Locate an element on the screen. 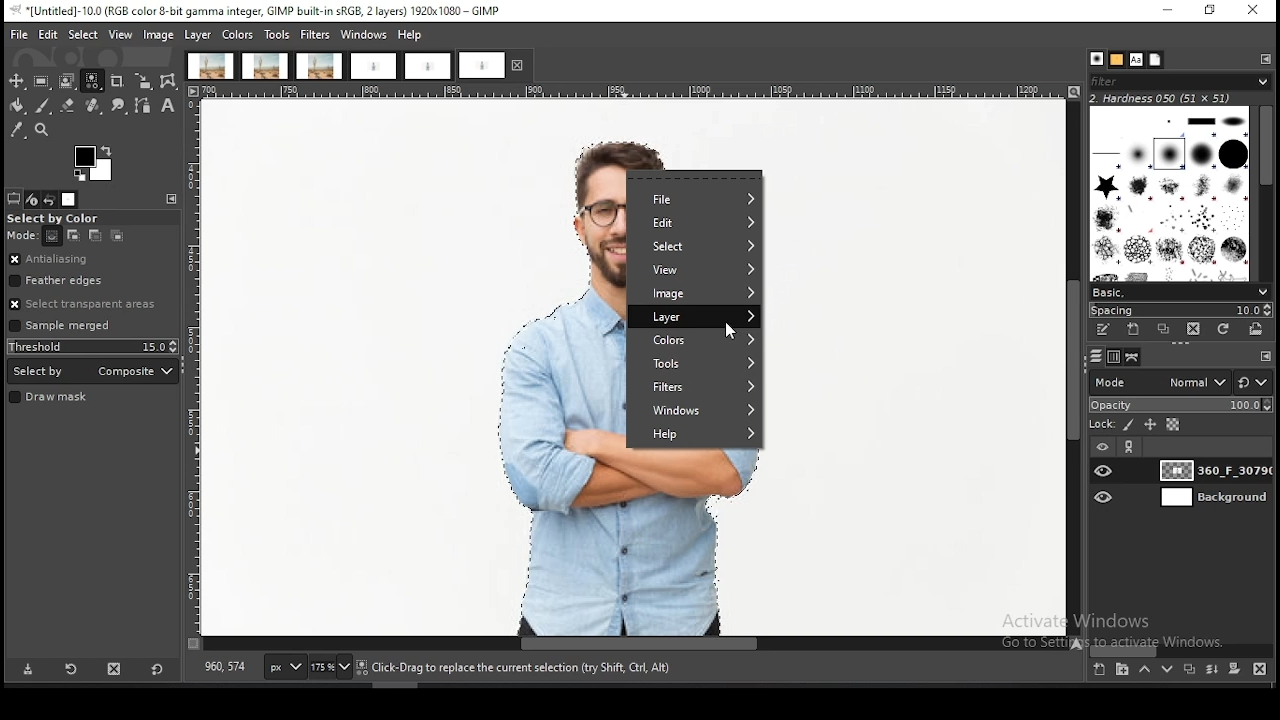  layer is located at coordinates (1212, 470).